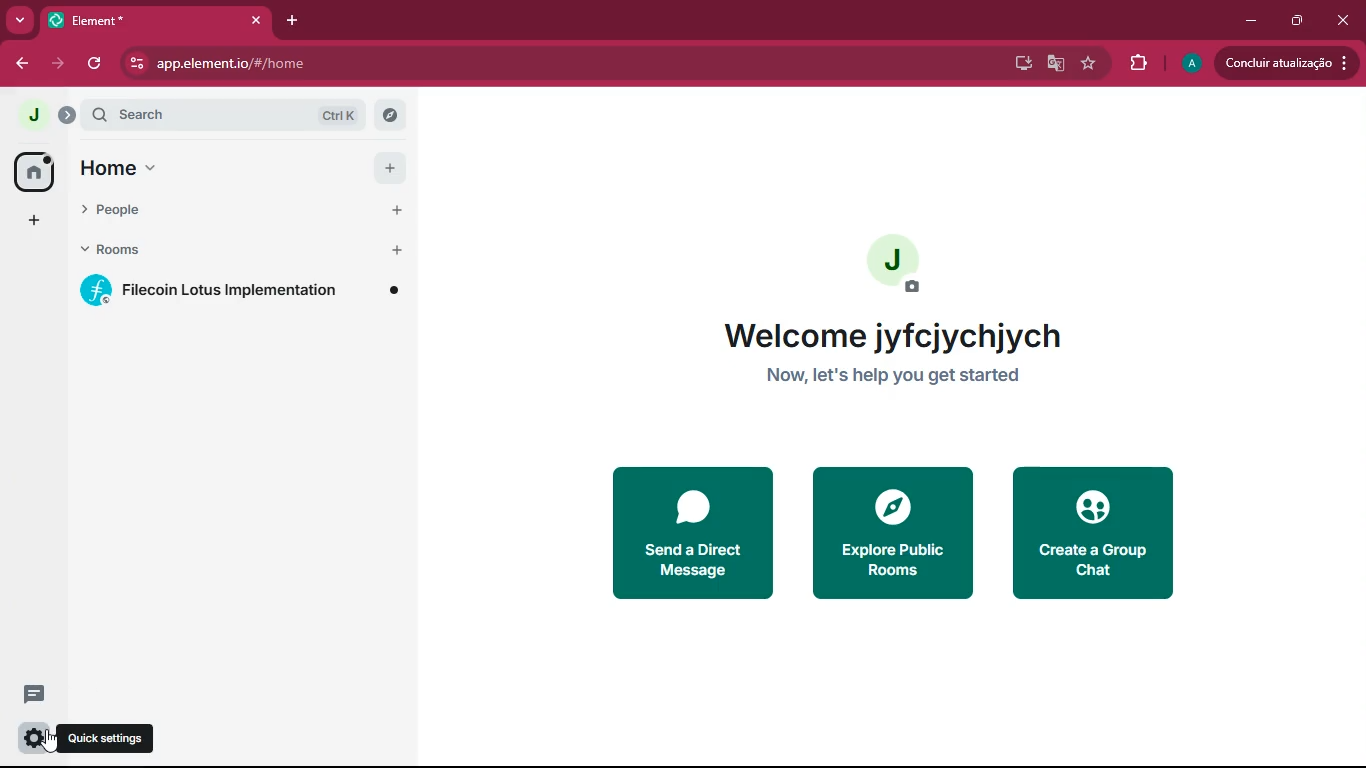 The height and width of the screenshot is (768, 1366). What do you see at coordinates (892, 336) in the screenshot?
I see `welcome jyfcjychjych` at bounding box center [892, 336].